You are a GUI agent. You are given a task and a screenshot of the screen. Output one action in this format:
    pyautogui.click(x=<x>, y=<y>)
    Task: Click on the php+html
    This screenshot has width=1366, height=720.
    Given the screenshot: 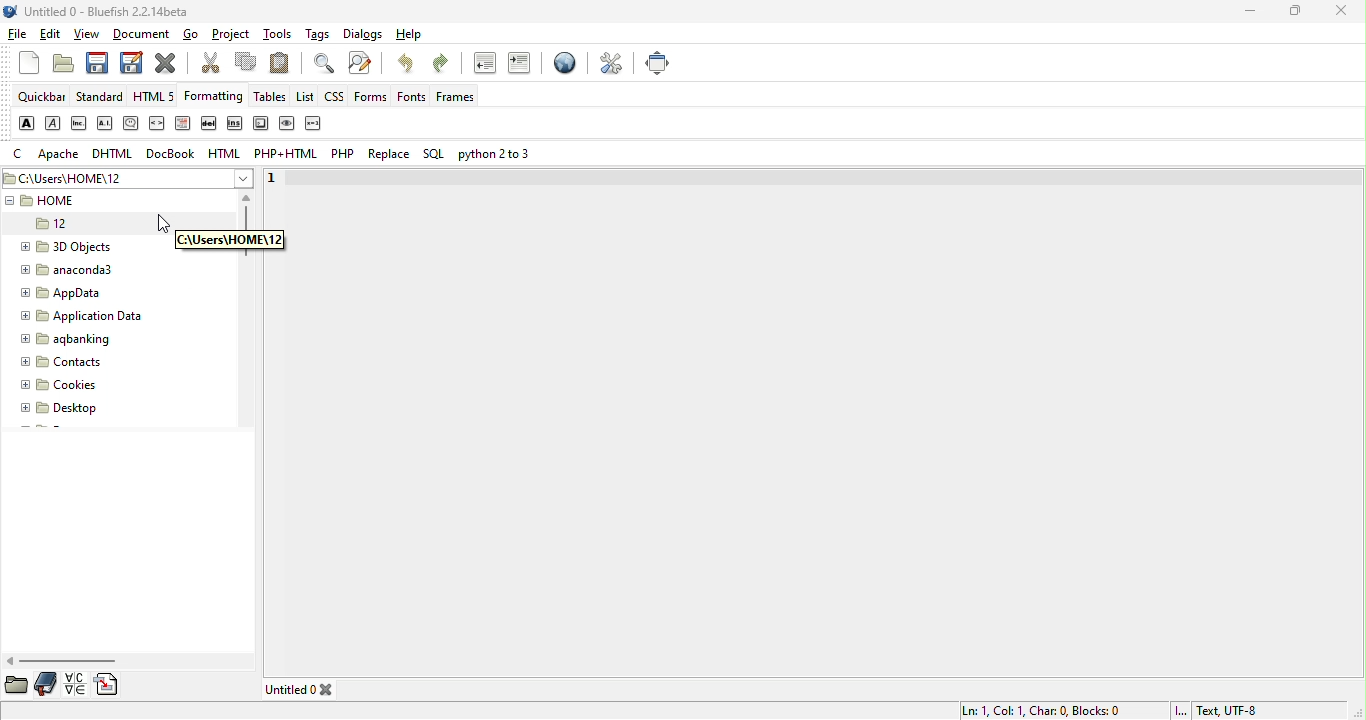 What is the action you would take?
    pyautogui.click(x=287, y=154)
    